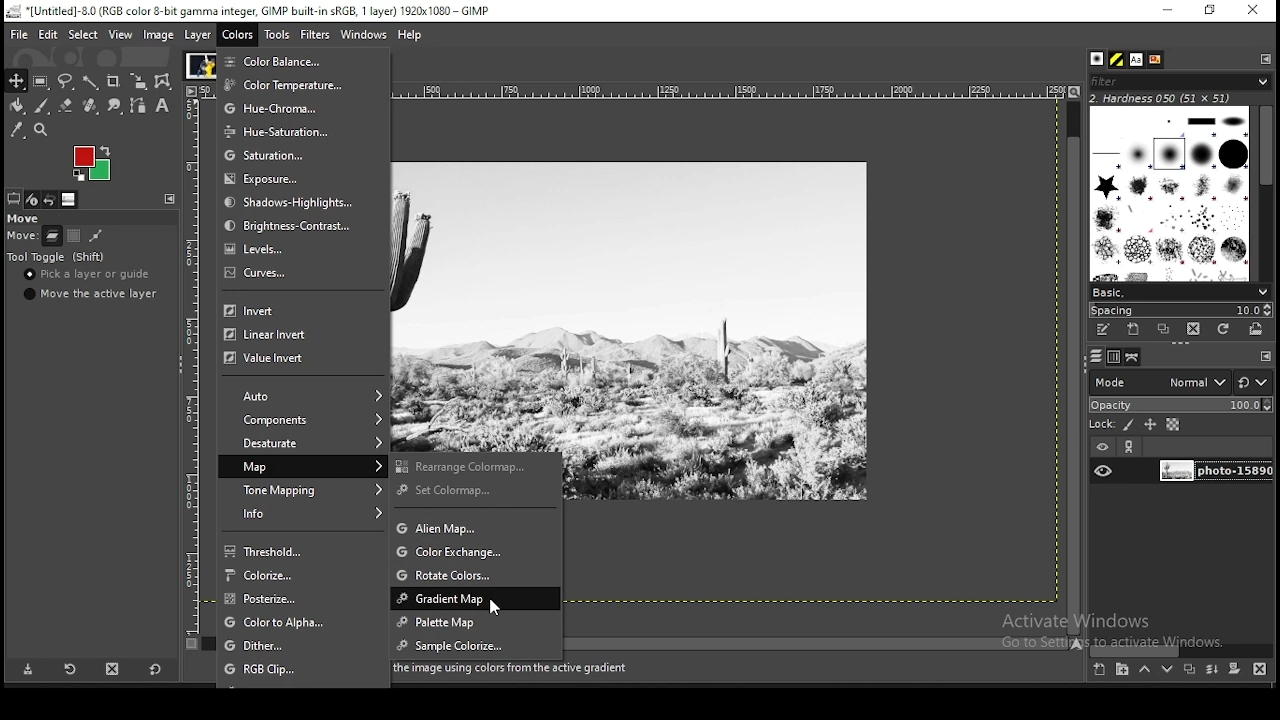 This screenshot has width=1280, height=720. I want to click on linear invert, so click(296, 334).